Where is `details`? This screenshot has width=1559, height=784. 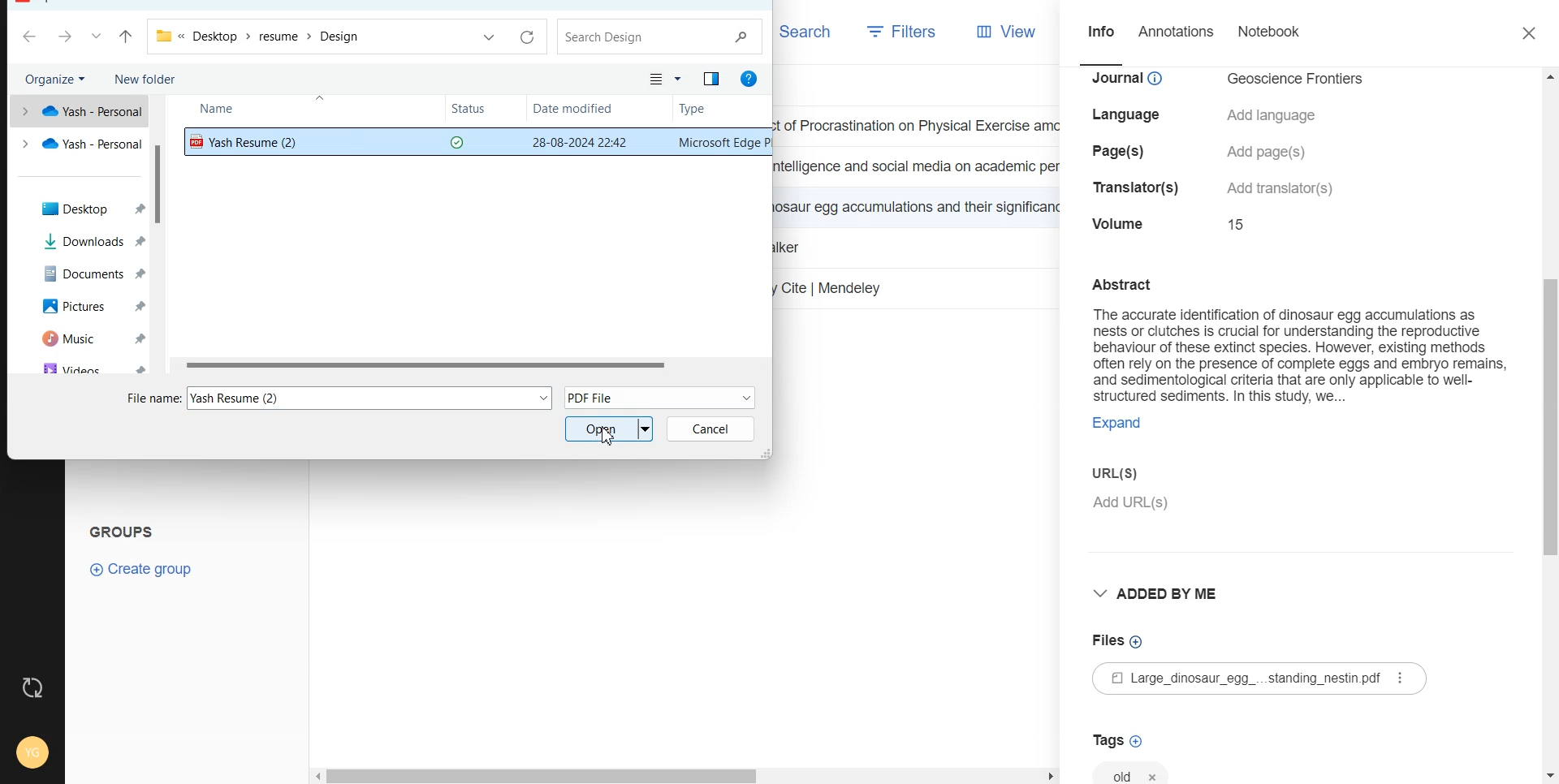
details is located at coordinates (1299, 80).